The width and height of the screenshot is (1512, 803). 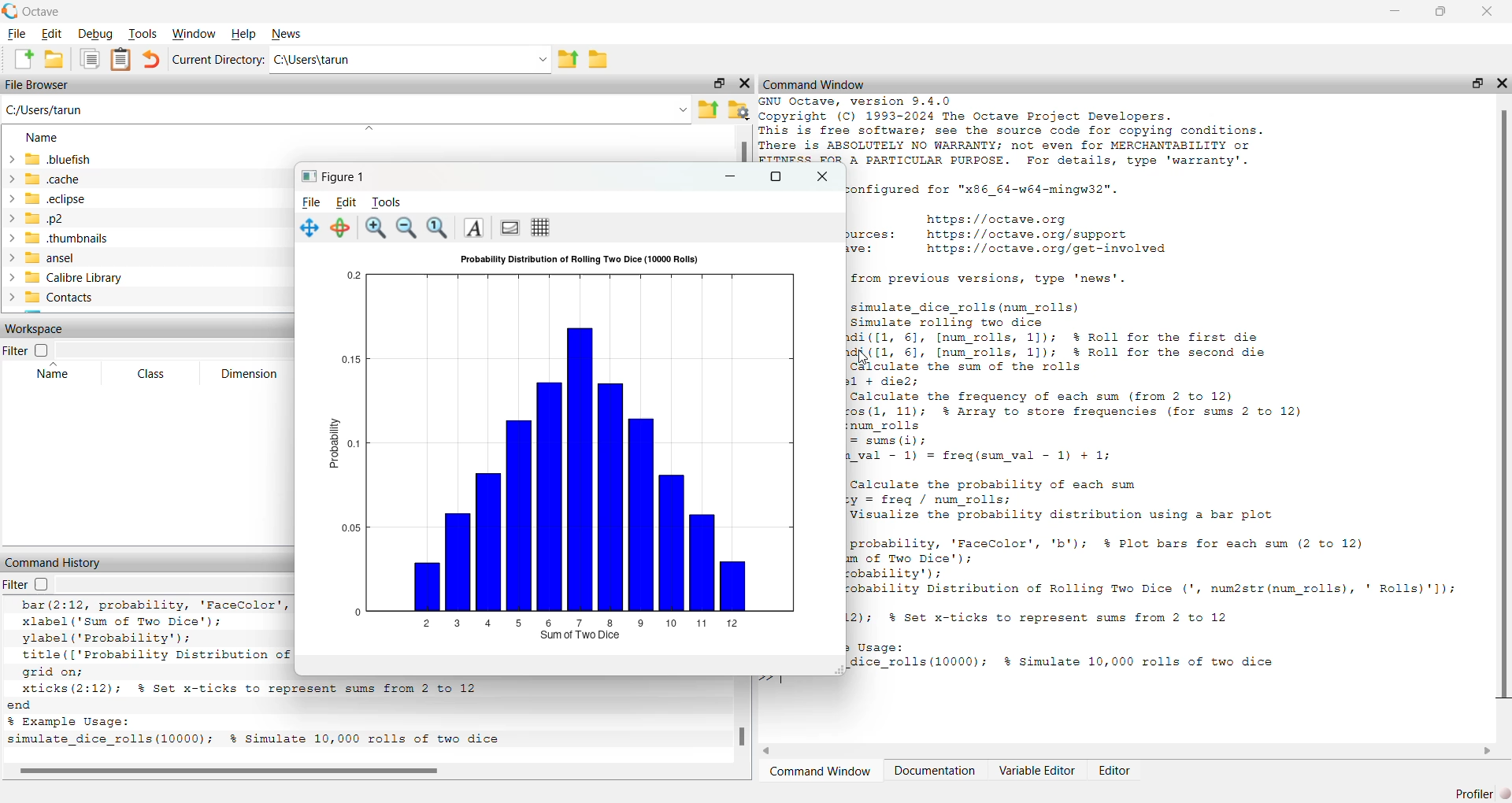 I want to click on Editor, so click(x=1115, y=770).